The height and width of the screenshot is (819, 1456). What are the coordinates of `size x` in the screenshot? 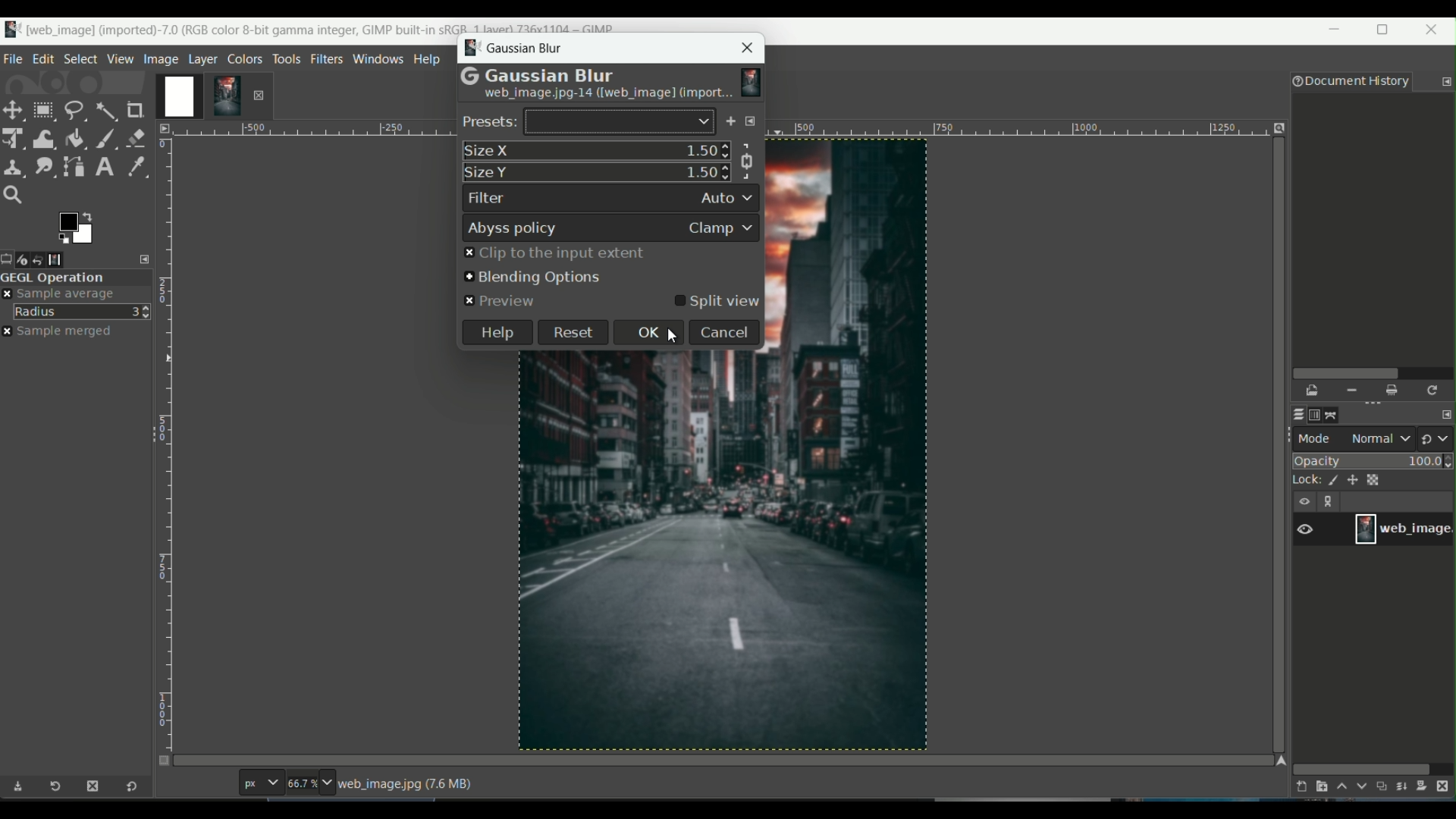 It's located at (488, 150).